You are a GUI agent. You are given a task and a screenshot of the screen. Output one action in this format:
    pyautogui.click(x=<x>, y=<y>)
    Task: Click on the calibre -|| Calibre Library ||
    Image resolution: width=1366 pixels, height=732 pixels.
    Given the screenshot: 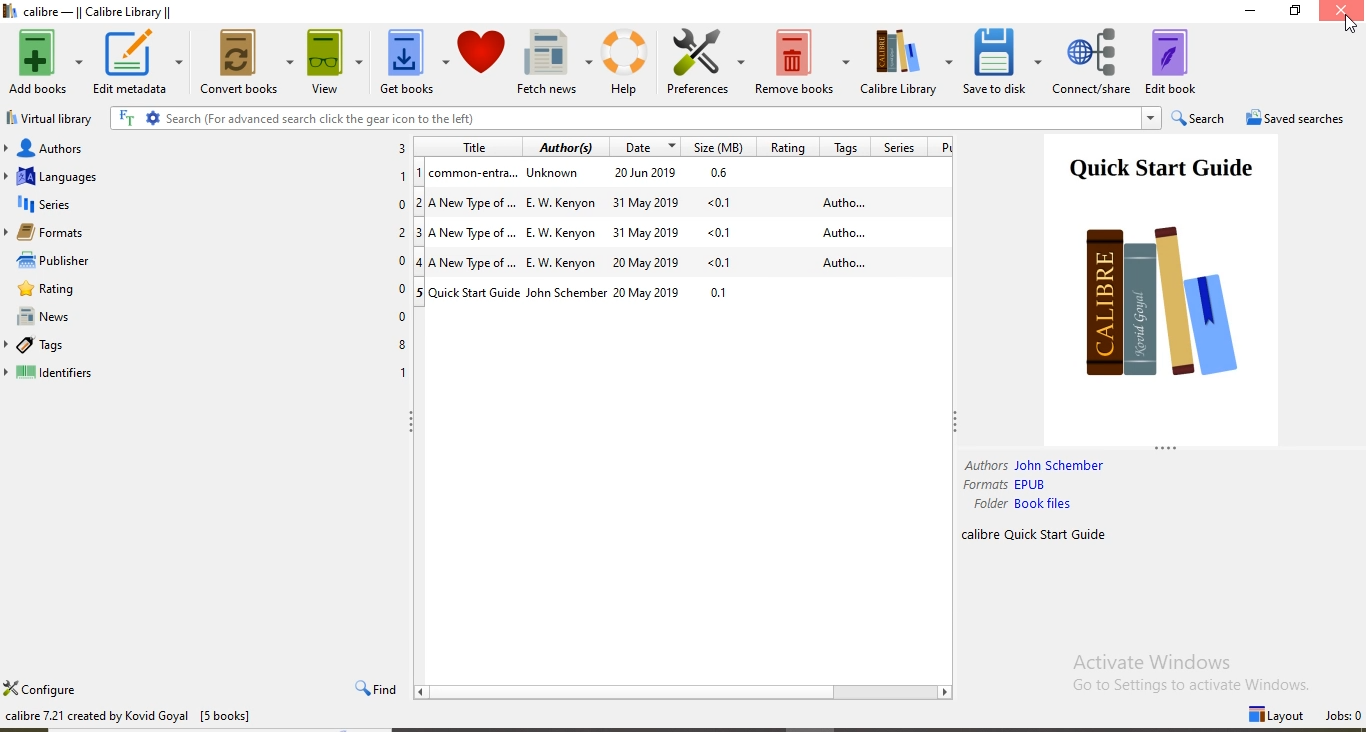 What is the action you would take?
    pyautogui.click(x=106, y=11)
    